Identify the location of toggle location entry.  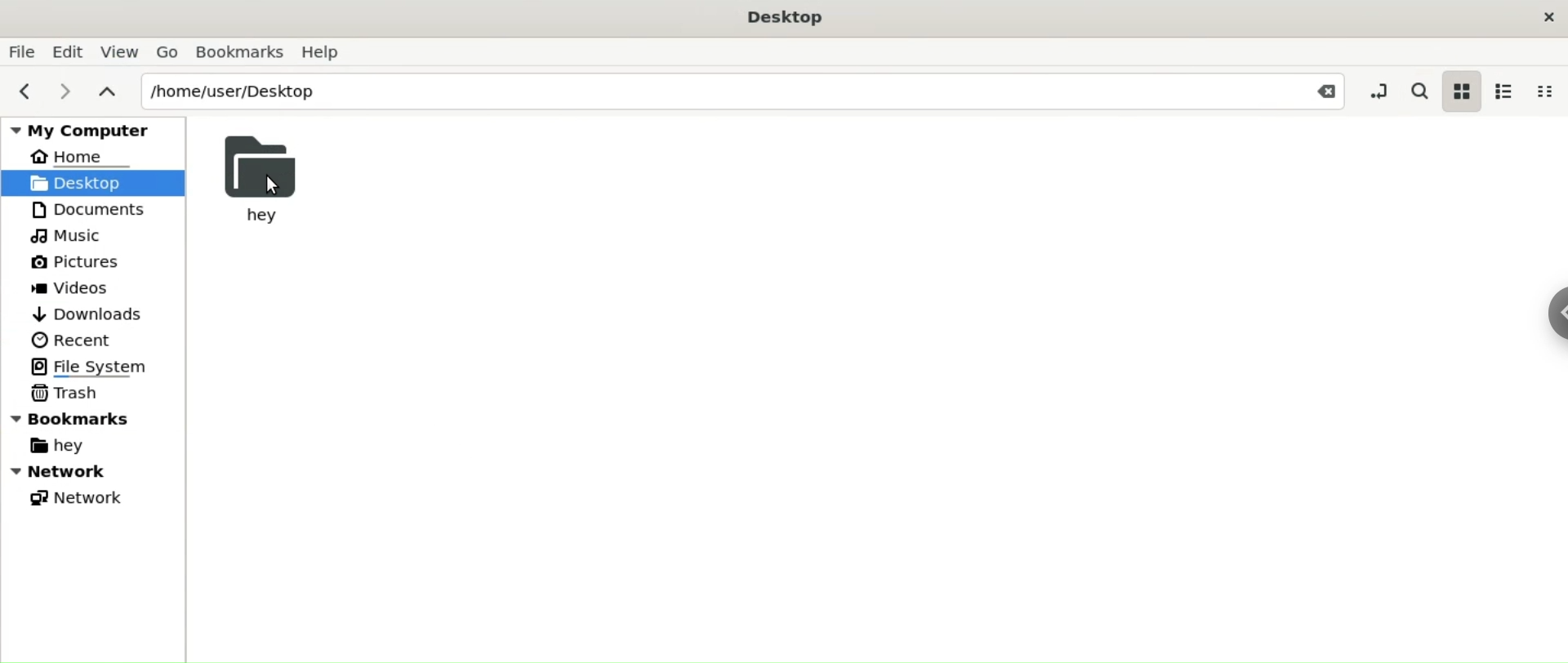
(1374, 88).